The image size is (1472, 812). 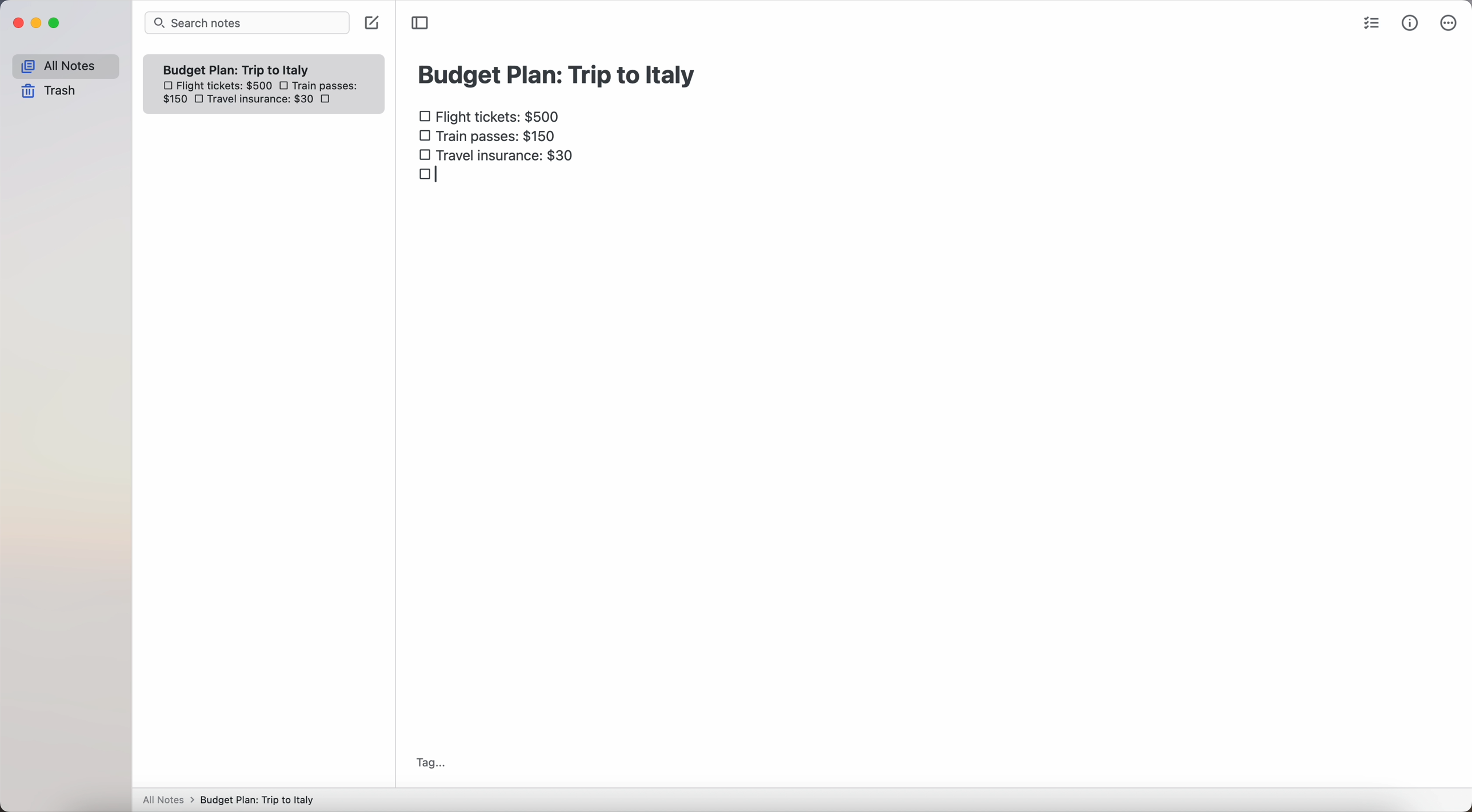 I want to click on checkbox, so click(x=200, y=101).